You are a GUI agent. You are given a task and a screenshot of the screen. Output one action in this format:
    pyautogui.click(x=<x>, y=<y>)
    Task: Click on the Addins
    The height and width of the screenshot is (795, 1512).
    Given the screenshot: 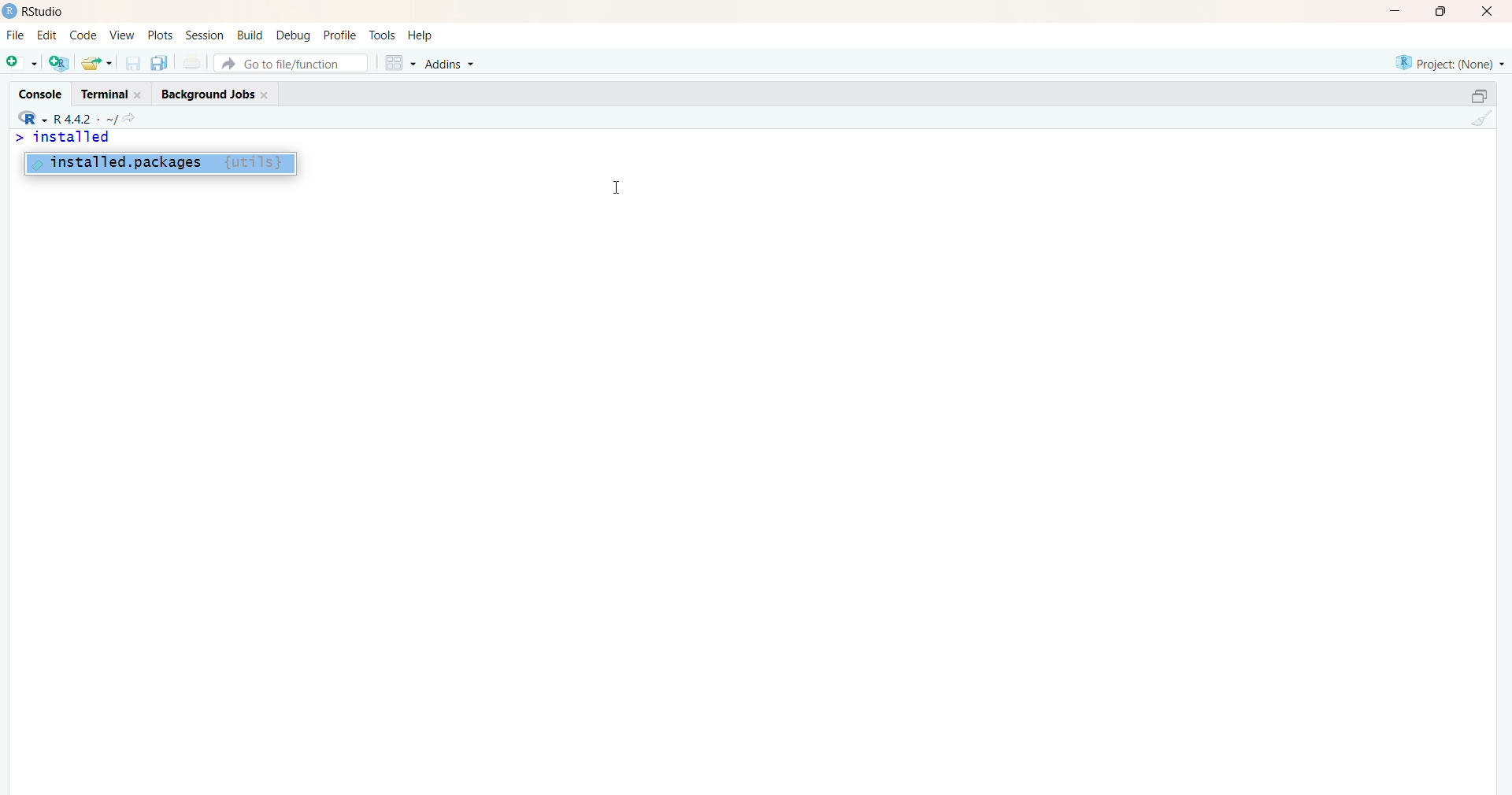 What is the action you would take?
    pyautogui.click(x=453, y=65)
    